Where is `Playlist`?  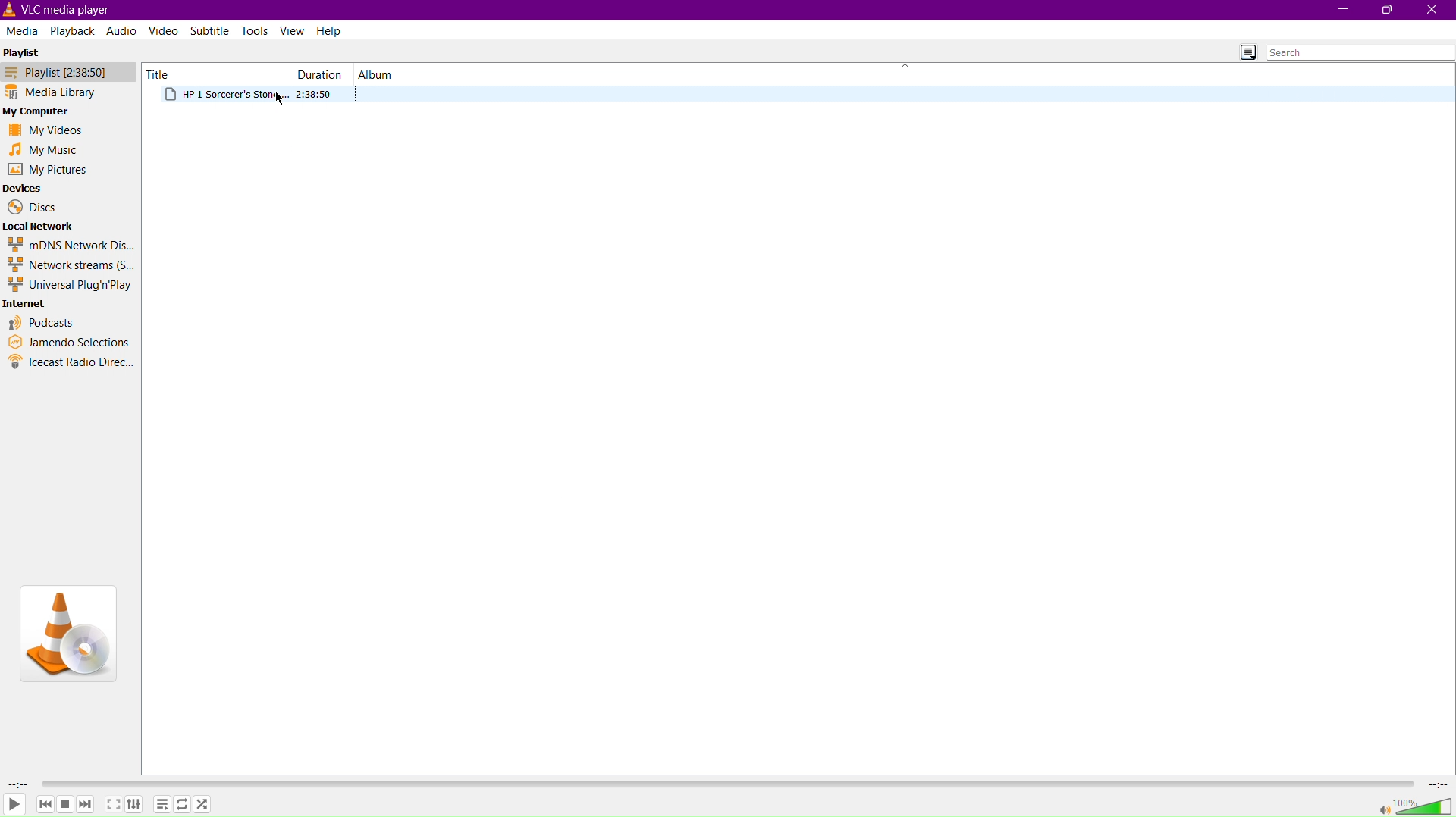 Playlist is located at coordinates (23, 51).